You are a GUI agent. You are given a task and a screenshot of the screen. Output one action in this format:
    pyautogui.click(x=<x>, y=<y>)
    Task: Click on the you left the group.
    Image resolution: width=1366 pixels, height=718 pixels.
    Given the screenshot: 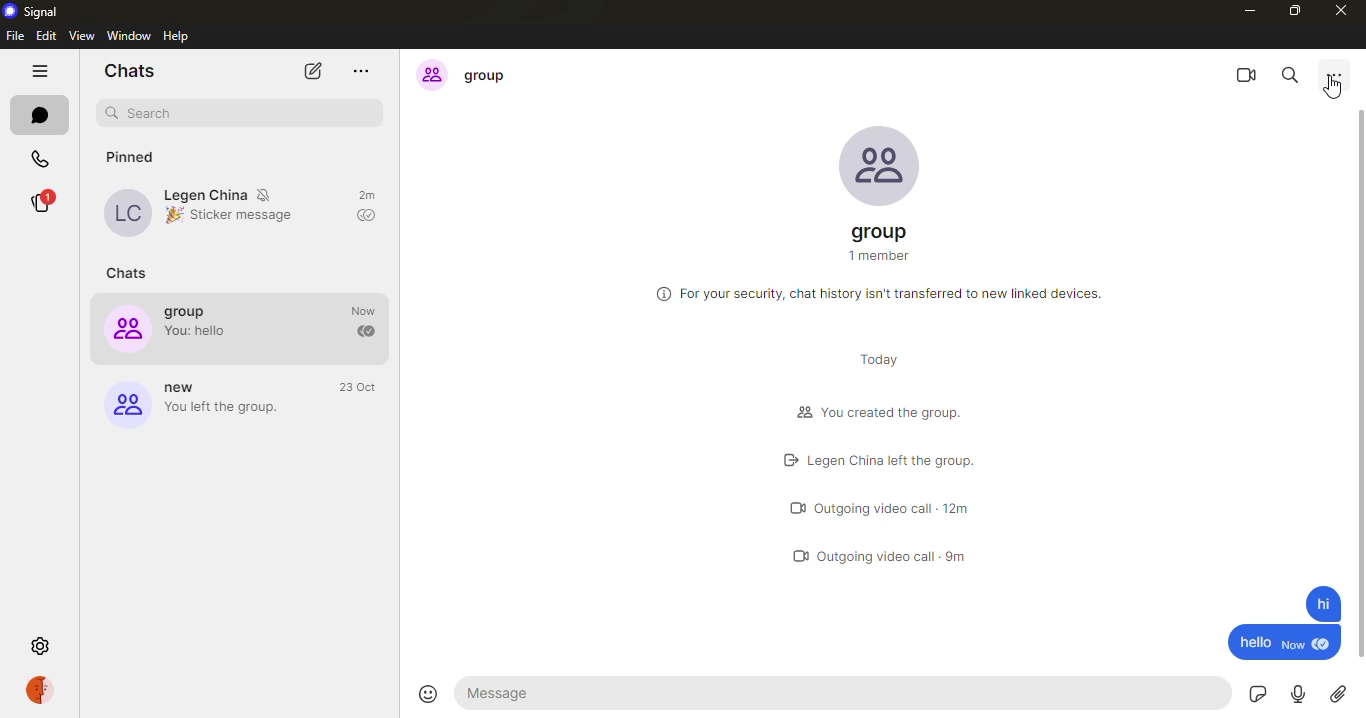 What is the action you would take?
    pyautogui.click(x=226, y=409)
    